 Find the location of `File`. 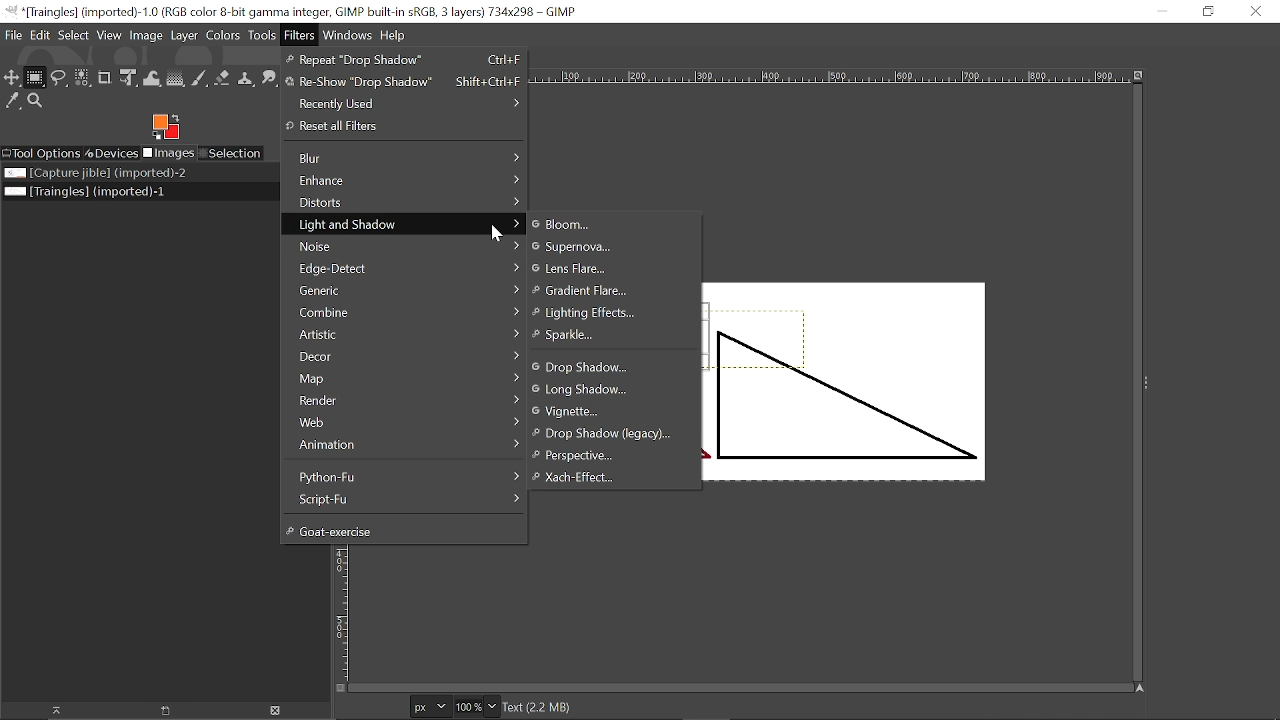

File is located at coordinates (13, 35).